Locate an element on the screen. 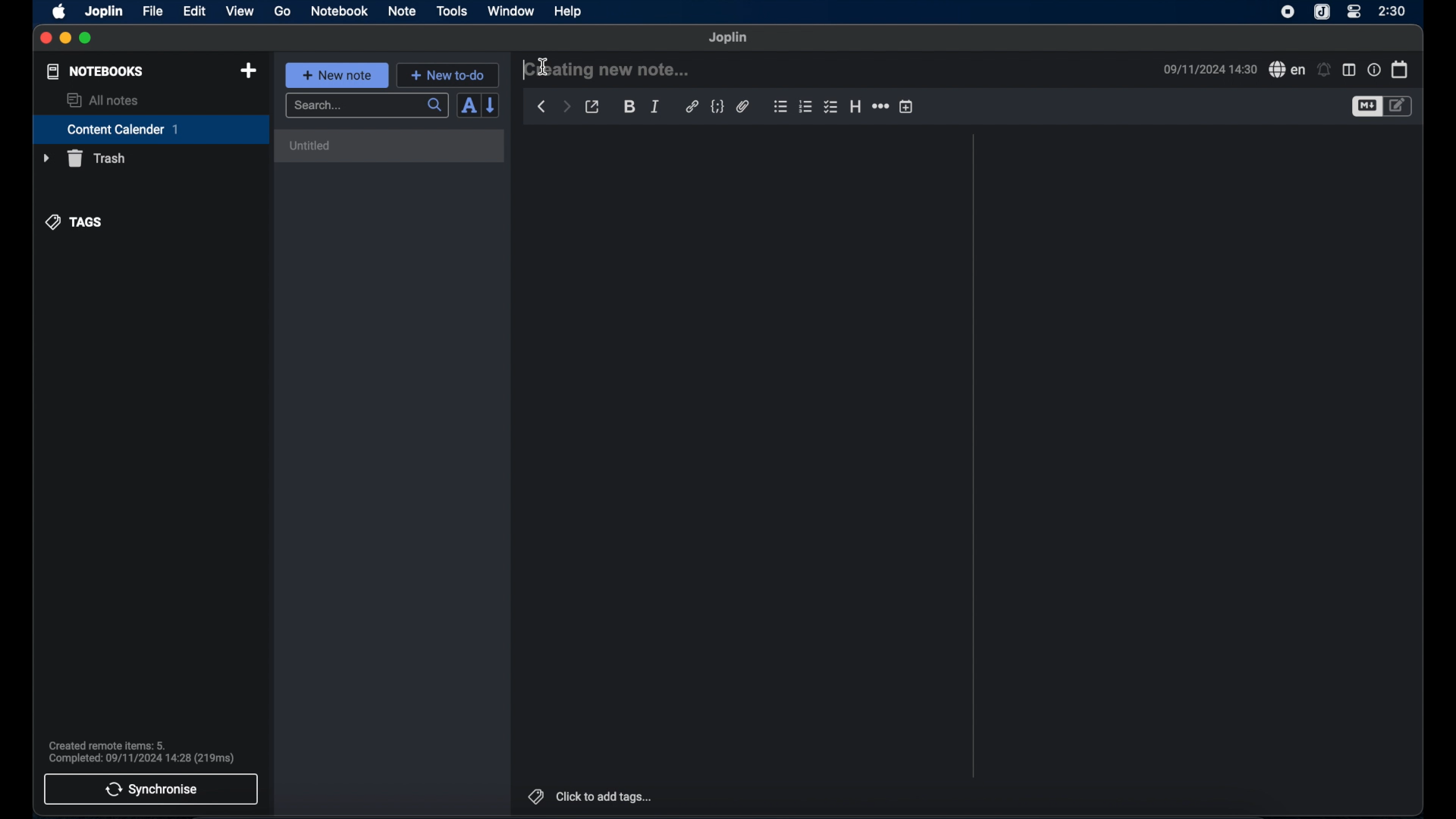  tools is located at coordinates (451, 11).